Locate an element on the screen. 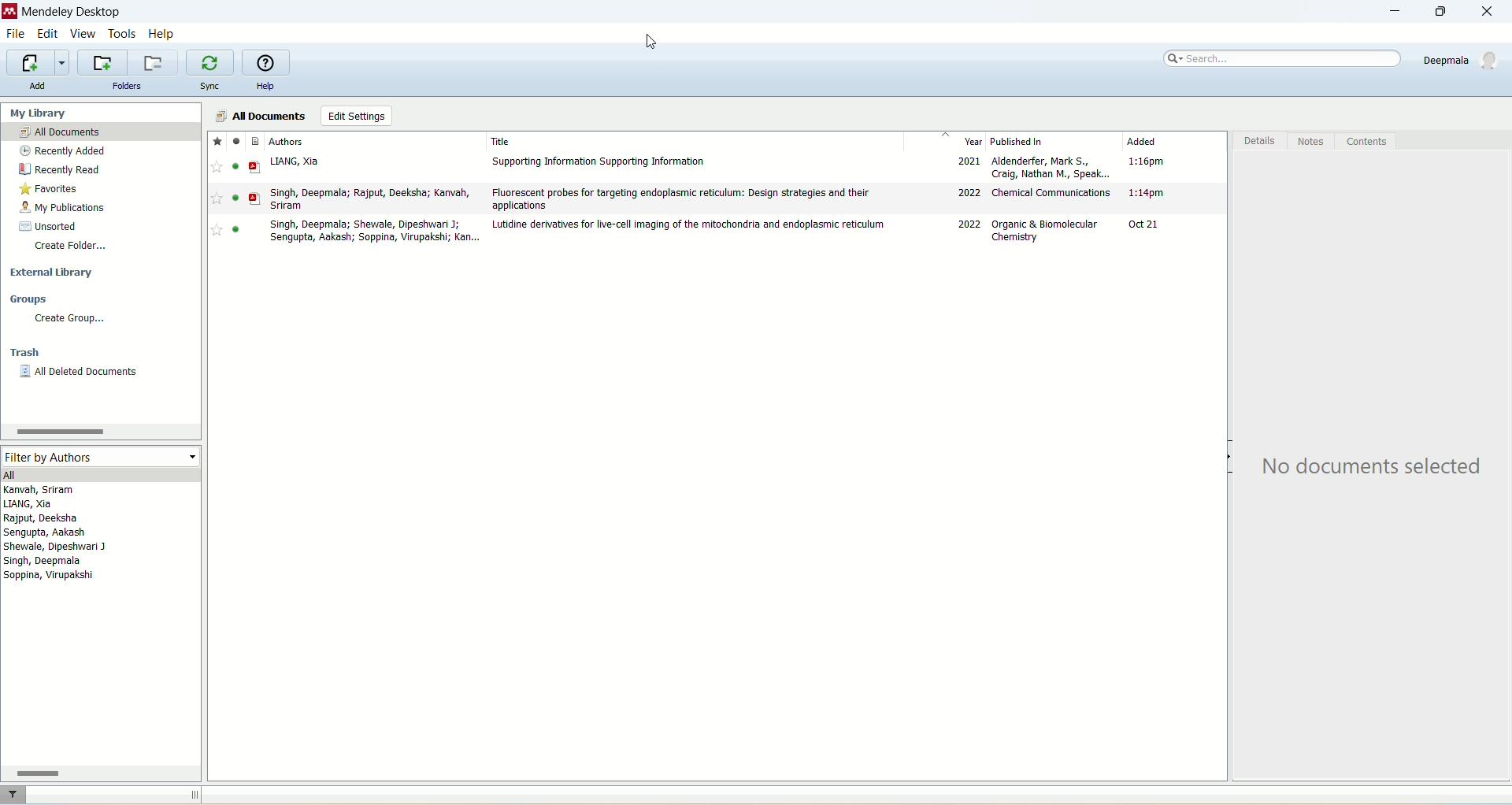  close is located at coordinates (1486, 12).